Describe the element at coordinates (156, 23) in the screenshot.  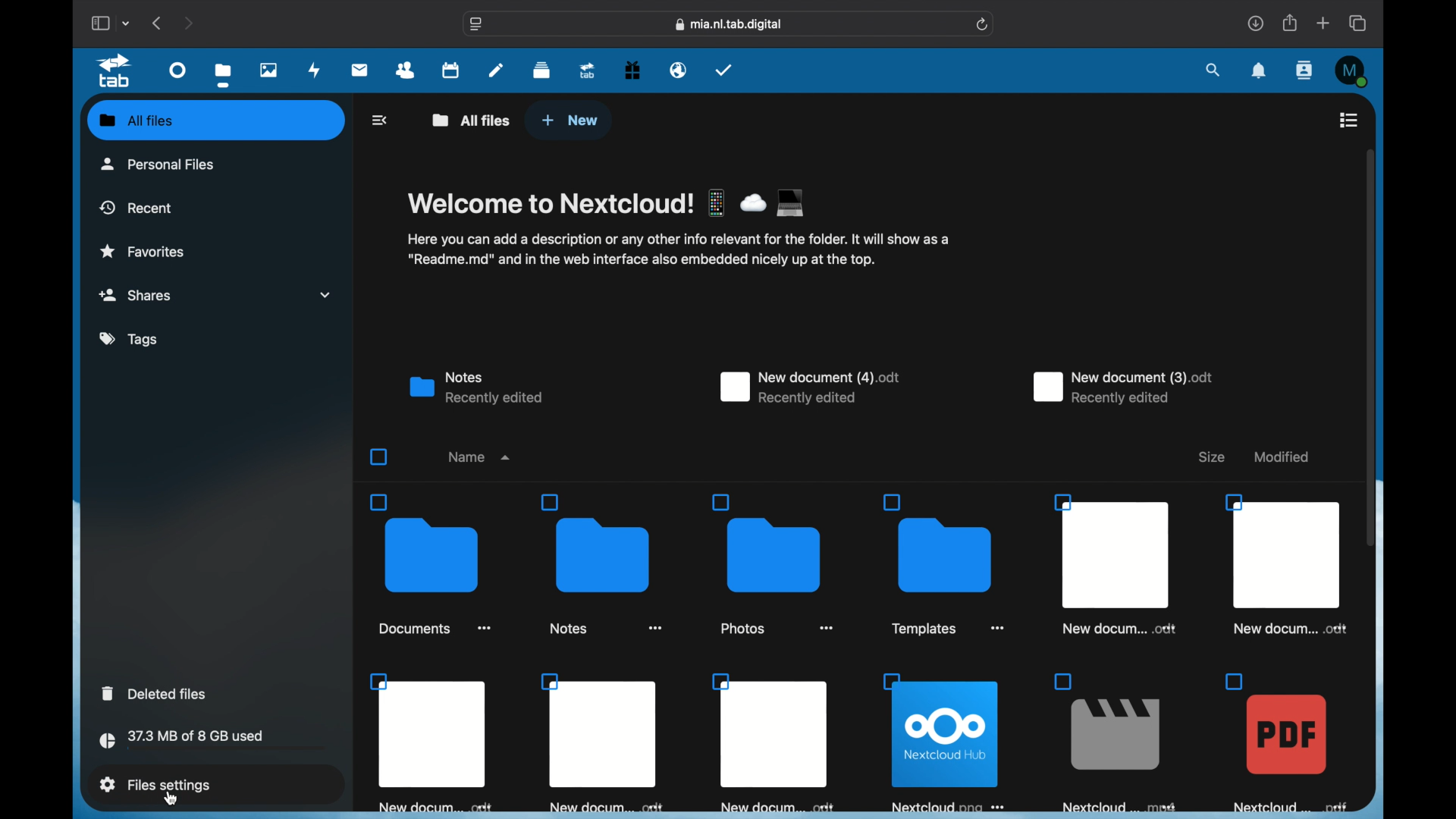
I see `previous` at that location.